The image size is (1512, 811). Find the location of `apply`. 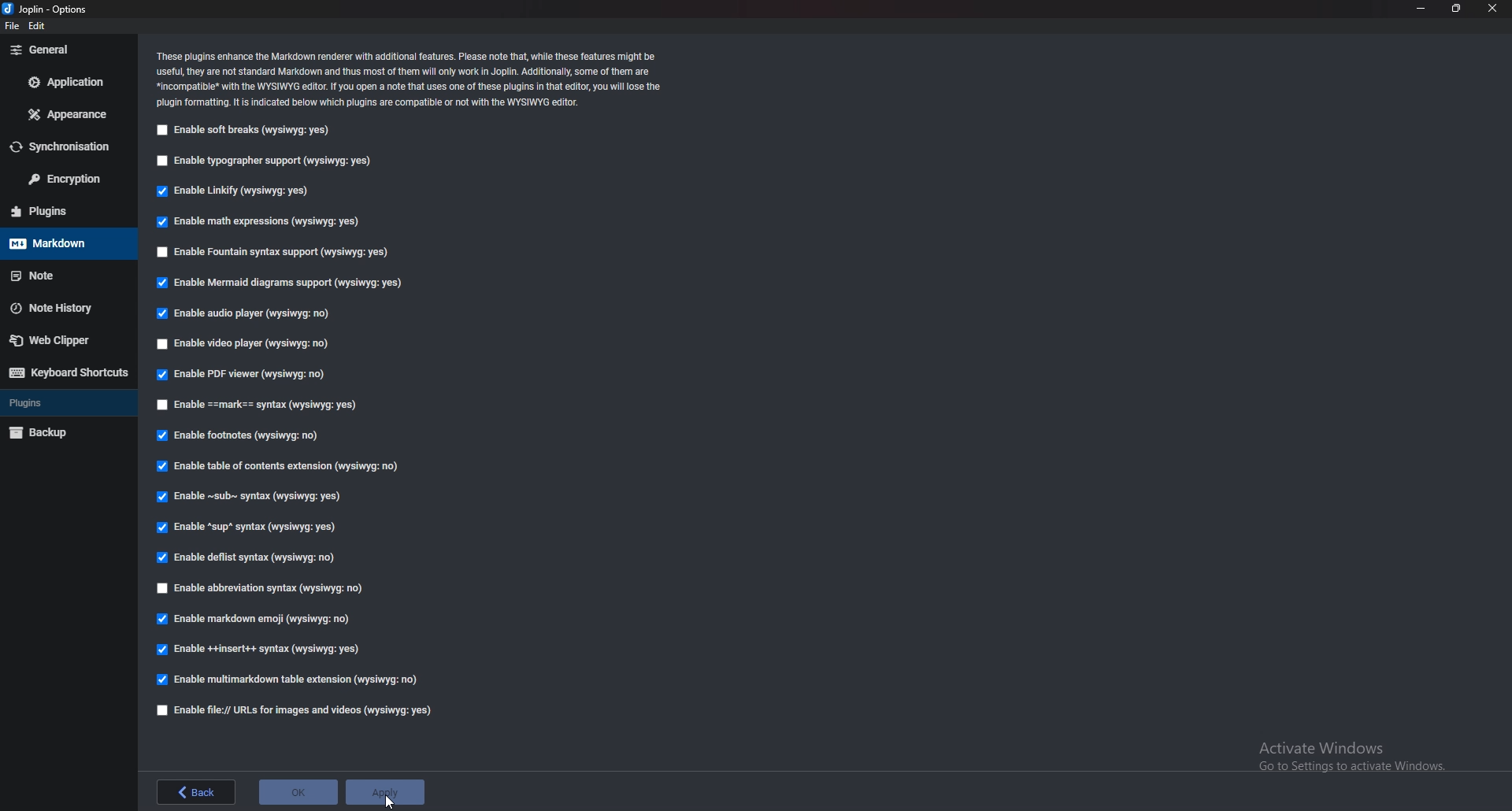

apply is located at coordinates (390, 791).